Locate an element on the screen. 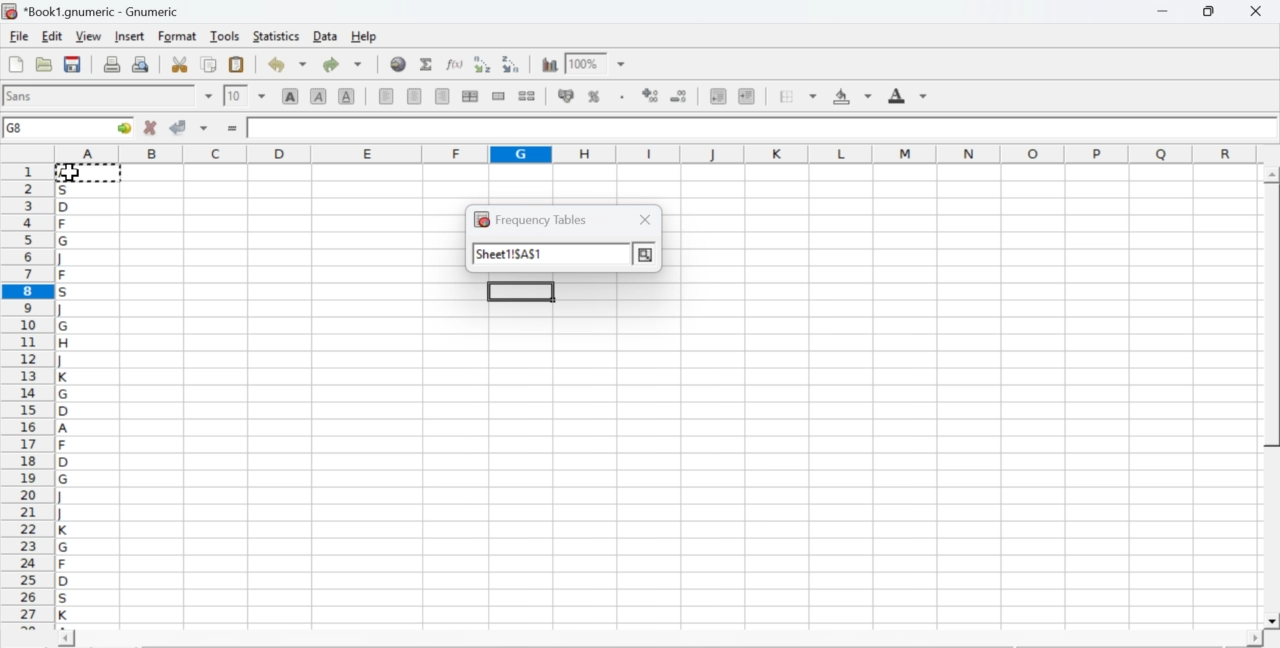 The height and width of the screenshot is (648, 1280). underline is located at coordinates (347, 95).